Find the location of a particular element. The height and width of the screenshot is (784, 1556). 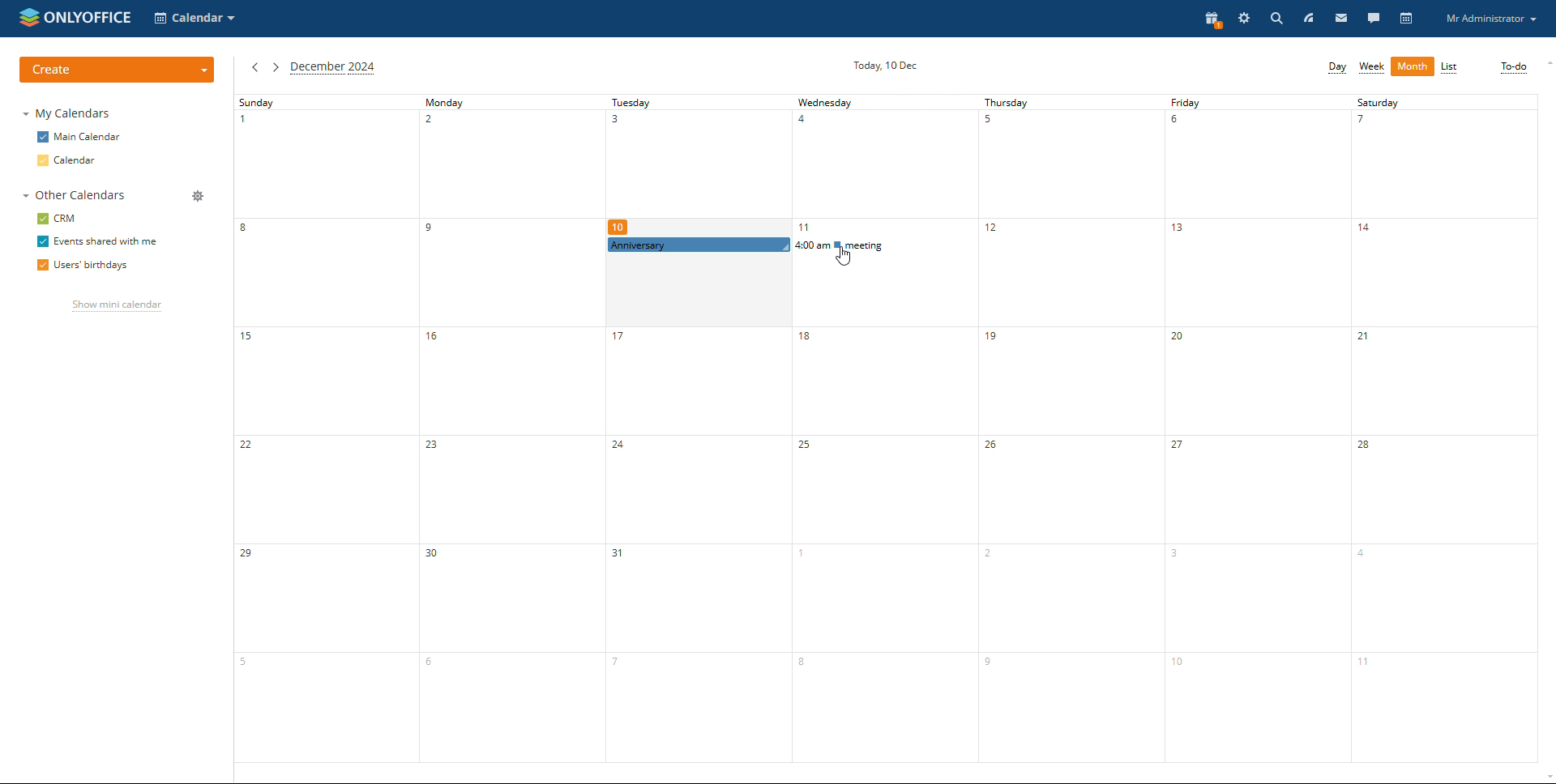

wednesday is located at coordinates (879, 164).